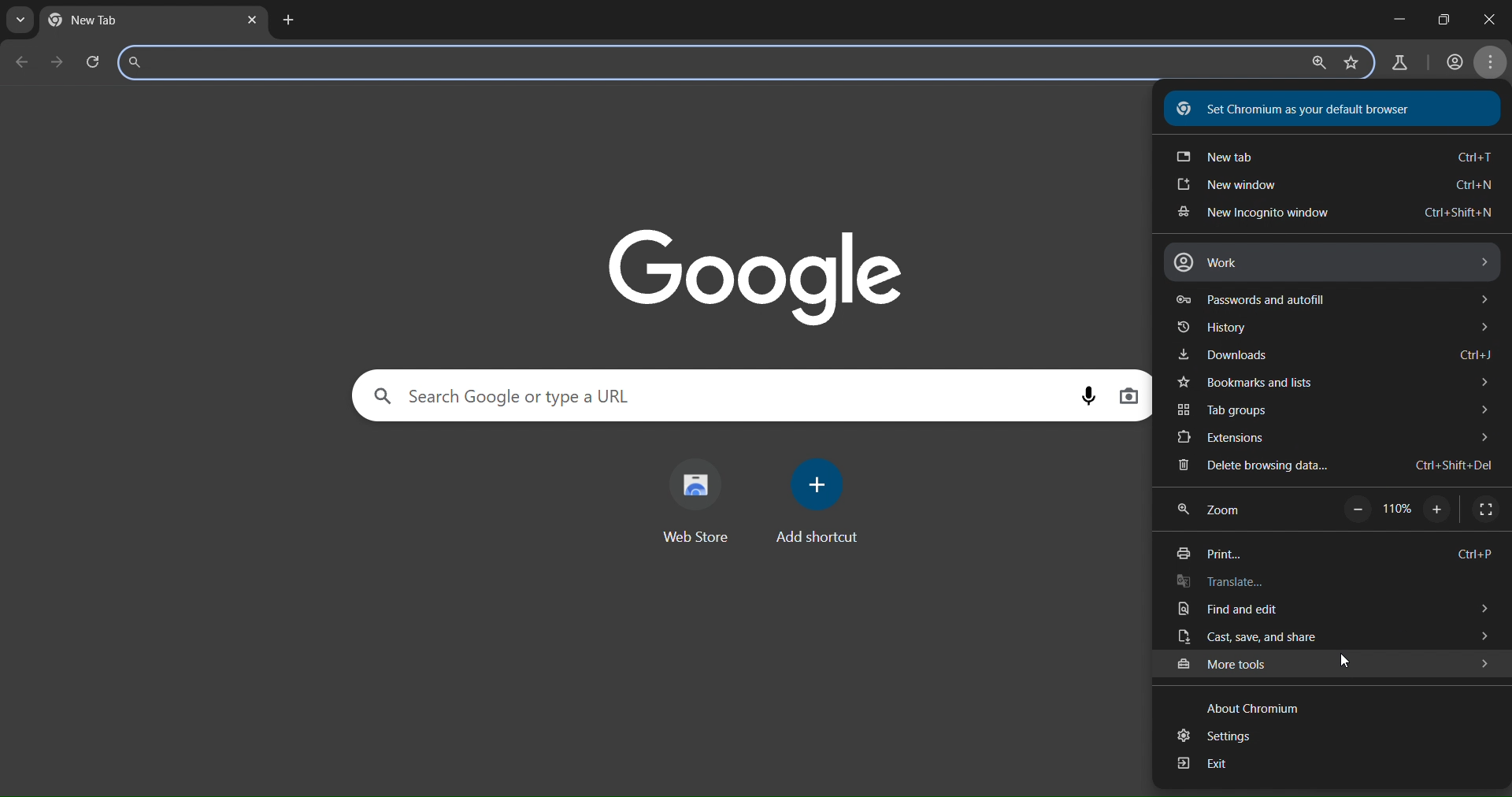 This screenshot has height=797, width=1512. What do you see at coordinates (512, 394) in the screenshot?
I see `Search Google or type a URL` at bounding box center [512, 394].